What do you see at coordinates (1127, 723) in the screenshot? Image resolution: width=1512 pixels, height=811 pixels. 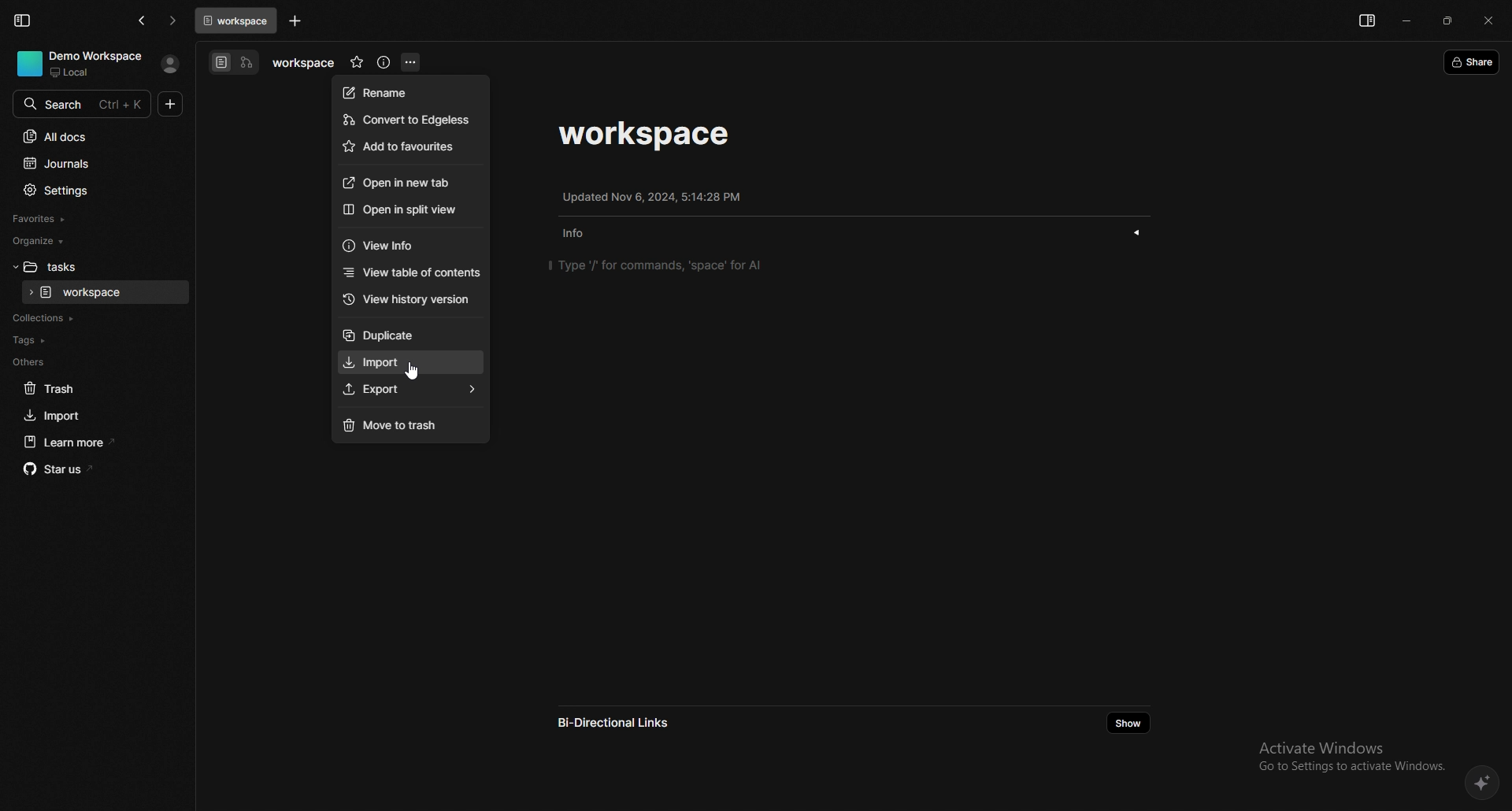 I see `show` at bounding box center [1127, 723].